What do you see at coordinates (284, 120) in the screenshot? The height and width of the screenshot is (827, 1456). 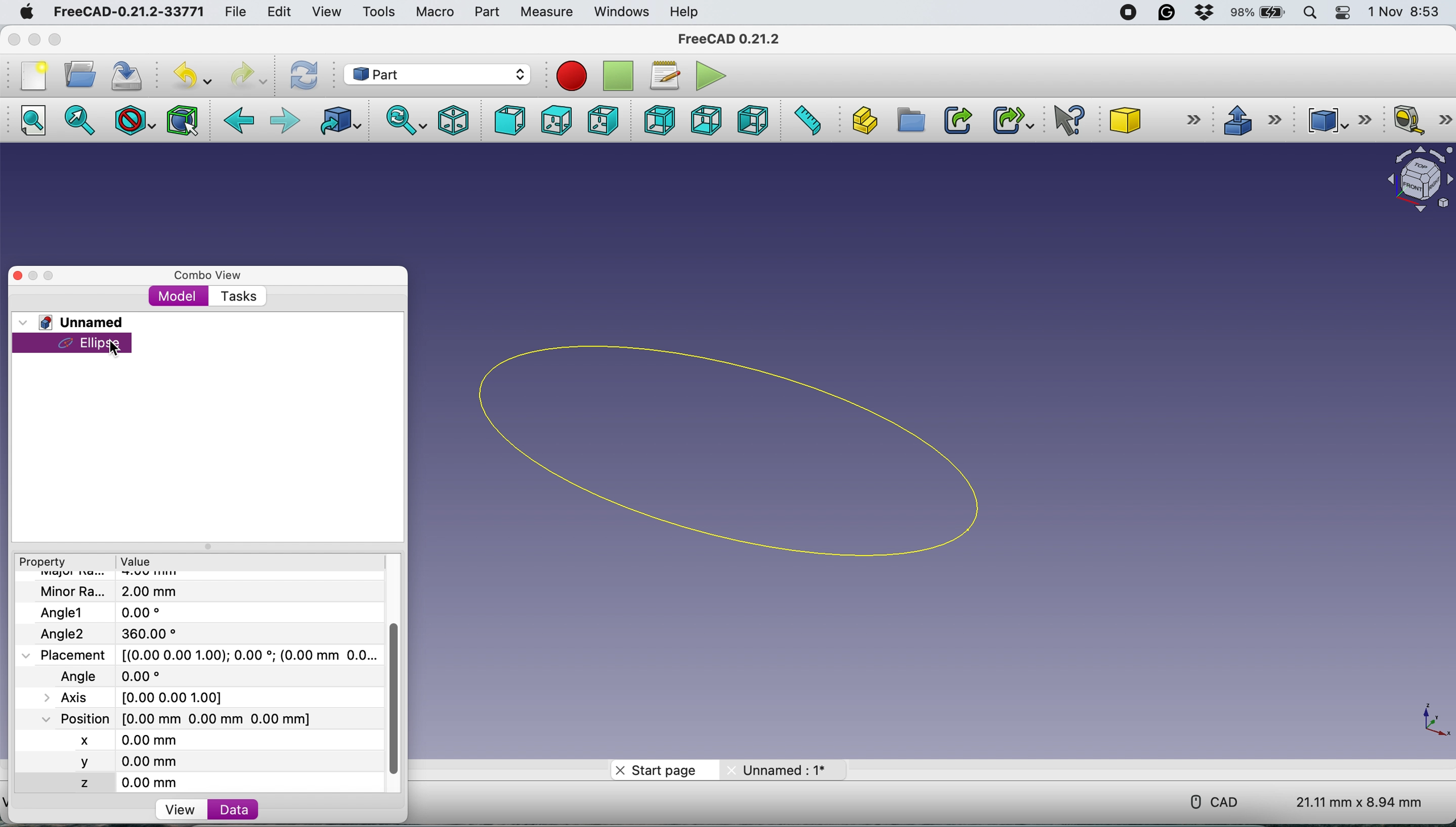 I see `foward` at bounding box center [284, 120].